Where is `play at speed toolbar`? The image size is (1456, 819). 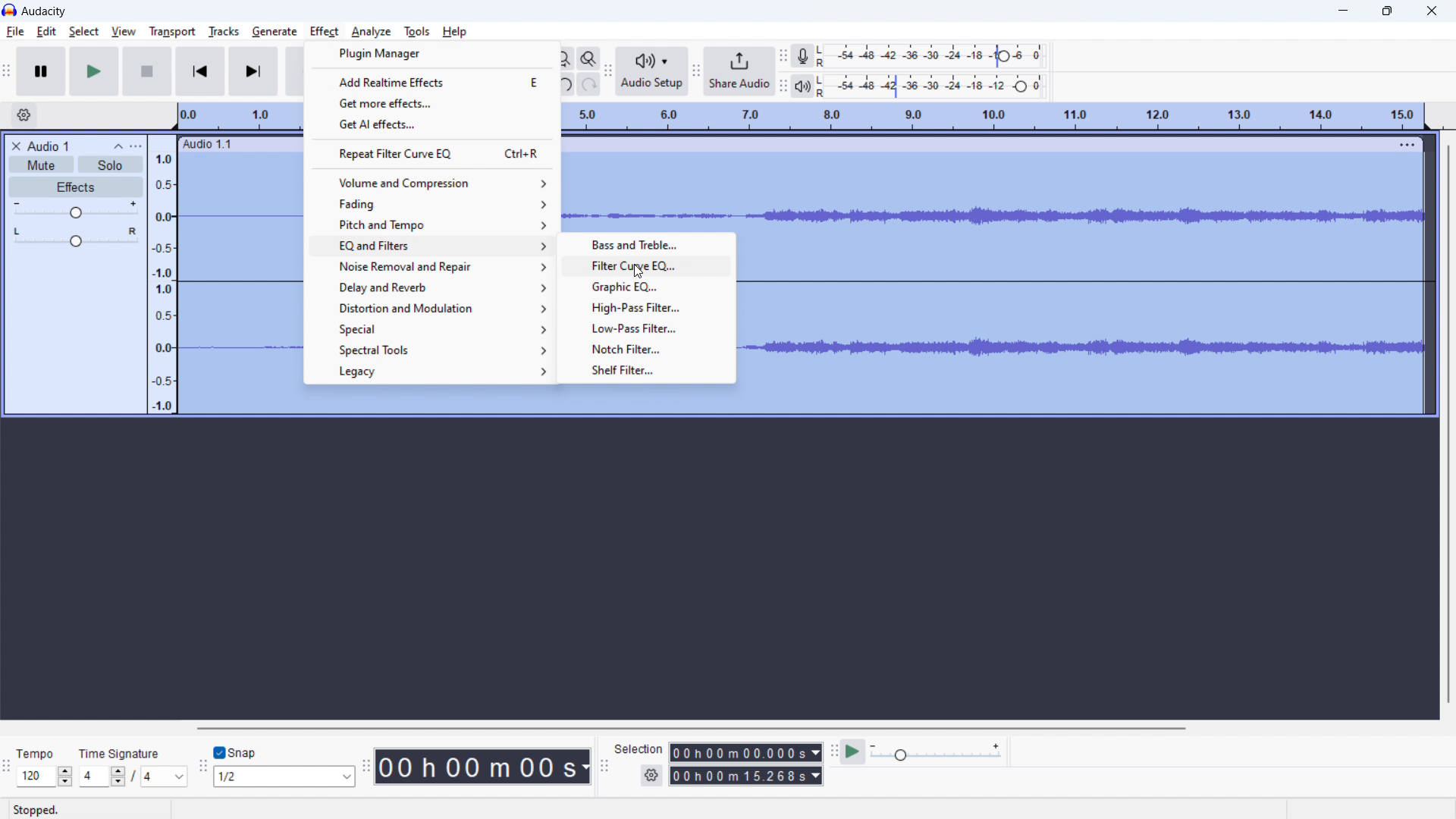
play at speed toolbar is located at coordinates (833, 752).